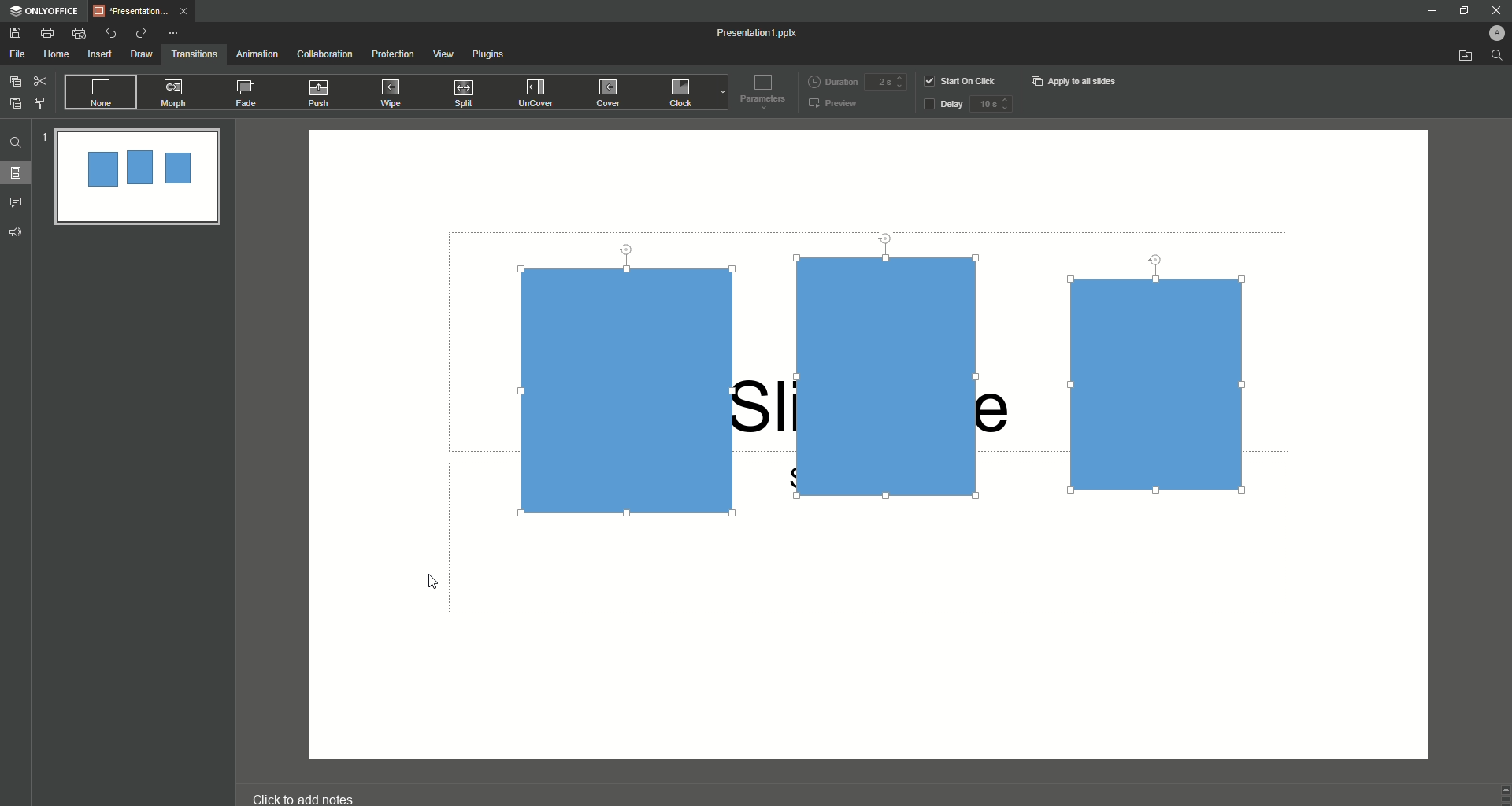  Describe the element at coordinates (40, 103) in the screenshot. I see `Choose Style` at that location.